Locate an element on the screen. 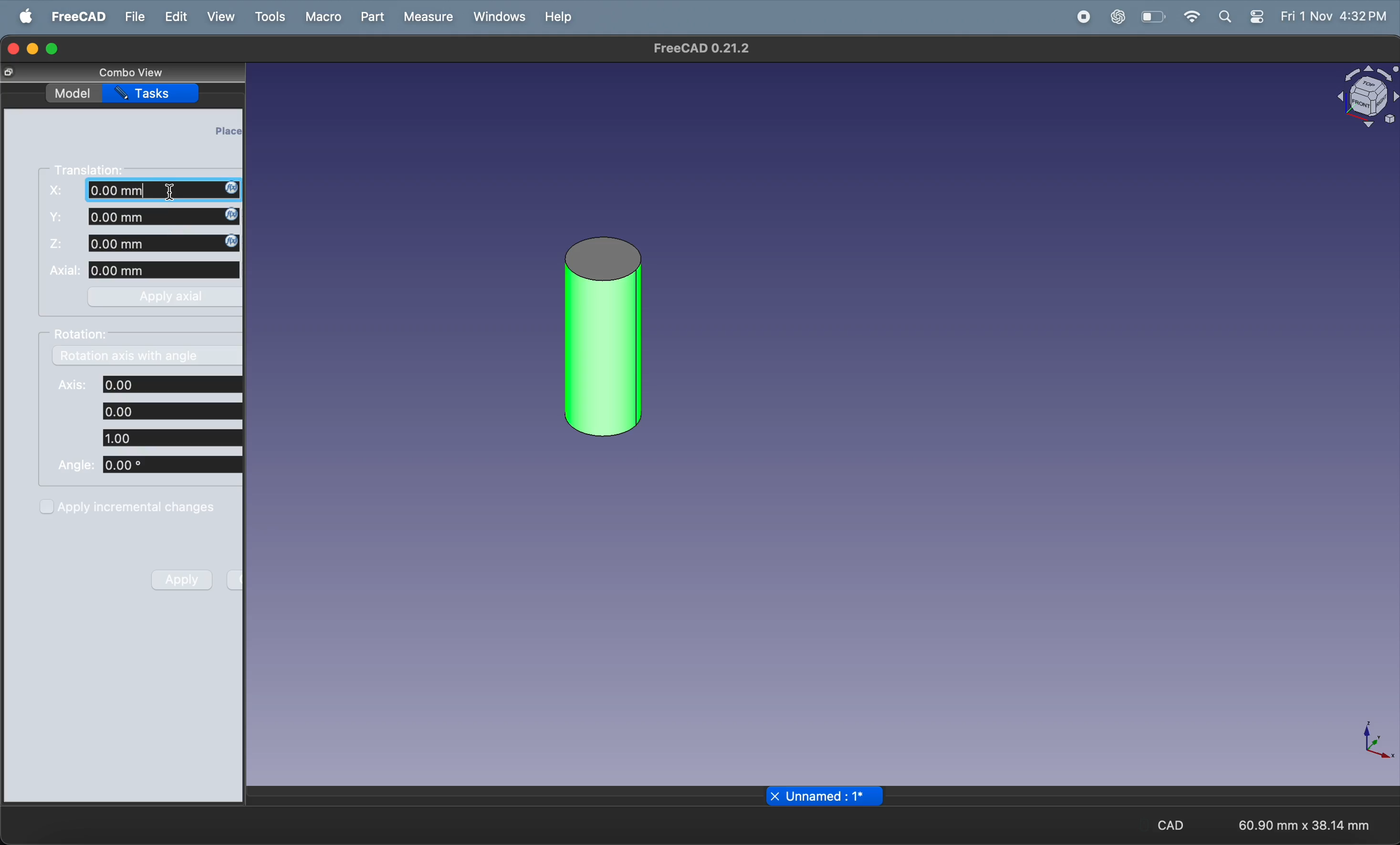 This screenshot has width=1400, height=845. measure is located at coordinates (427, 16).